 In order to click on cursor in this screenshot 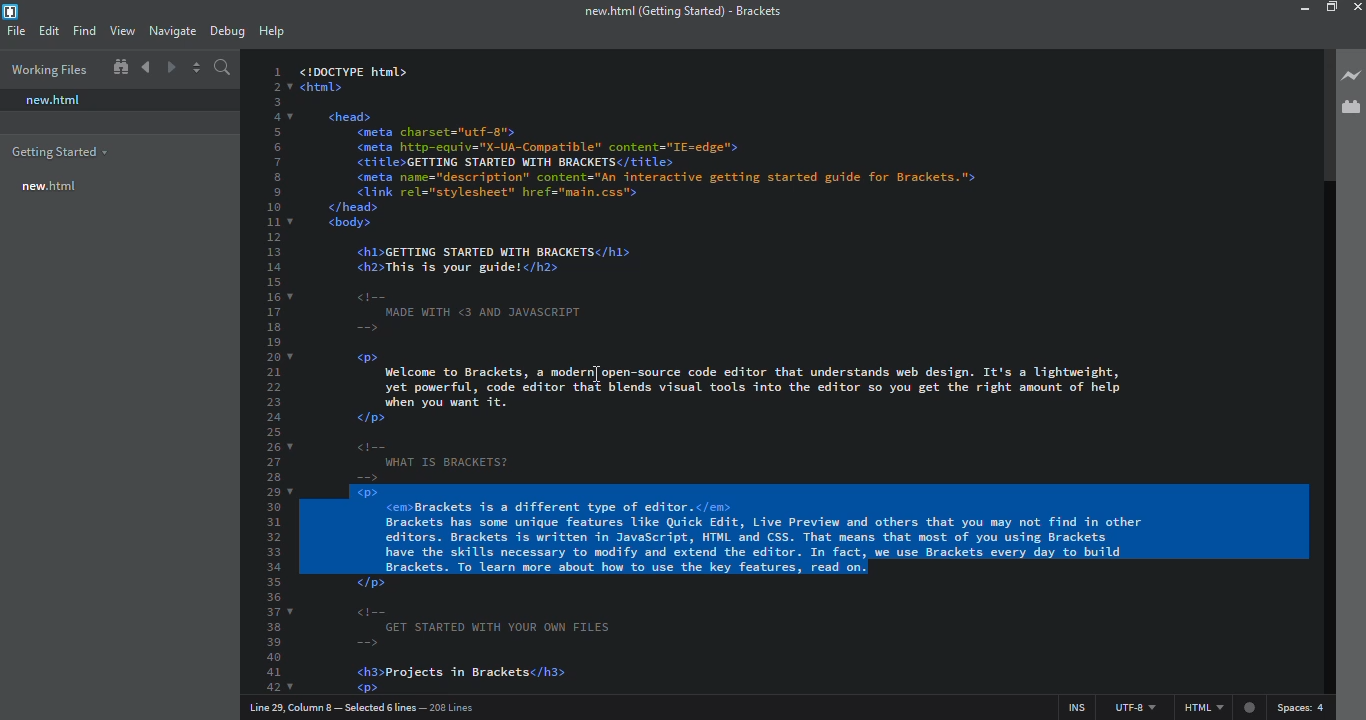, I will do `click(596, 375)`.